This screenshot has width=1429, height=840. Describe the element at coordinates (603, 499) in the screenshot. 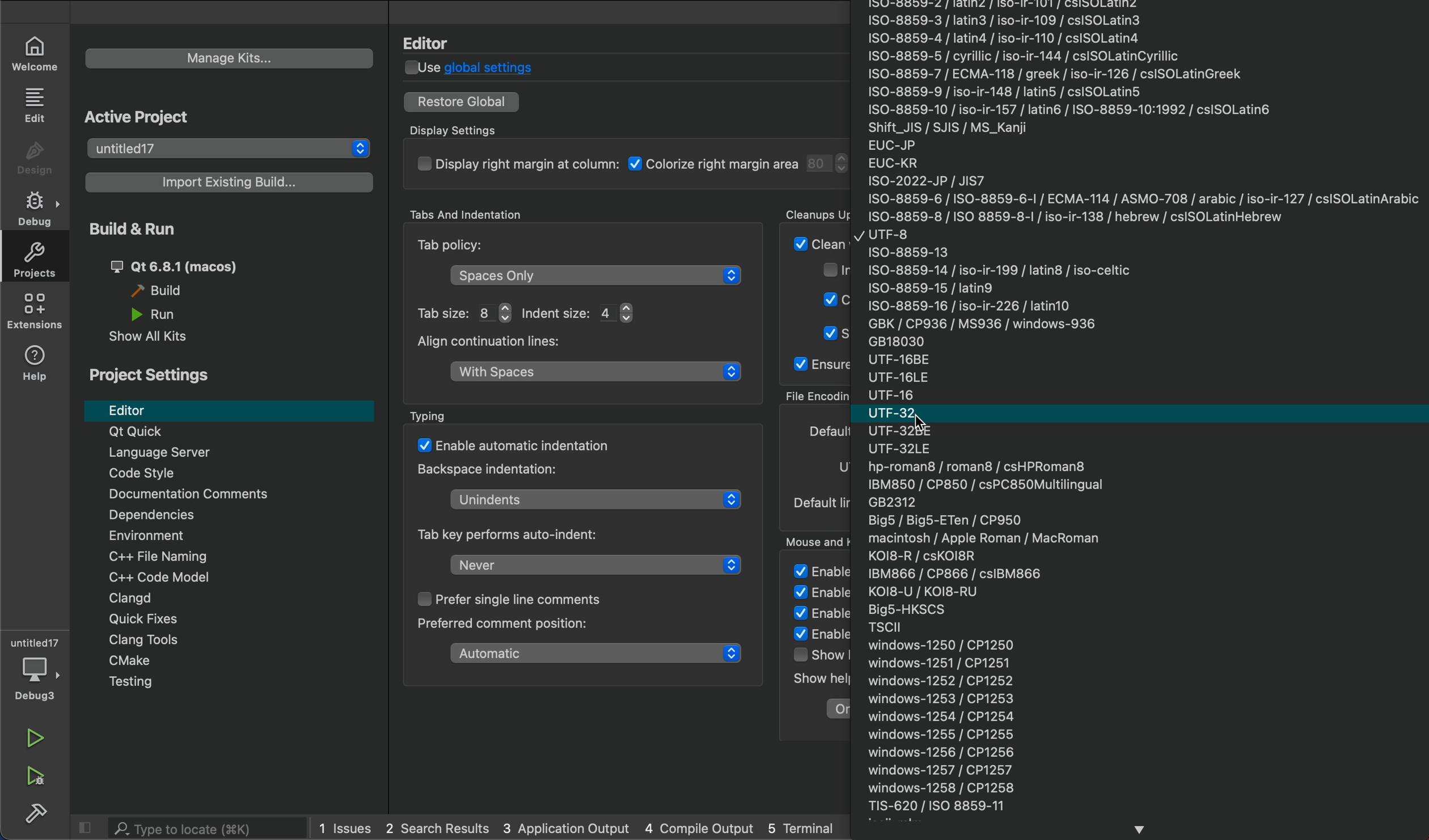

I see `Unindent` at that location.